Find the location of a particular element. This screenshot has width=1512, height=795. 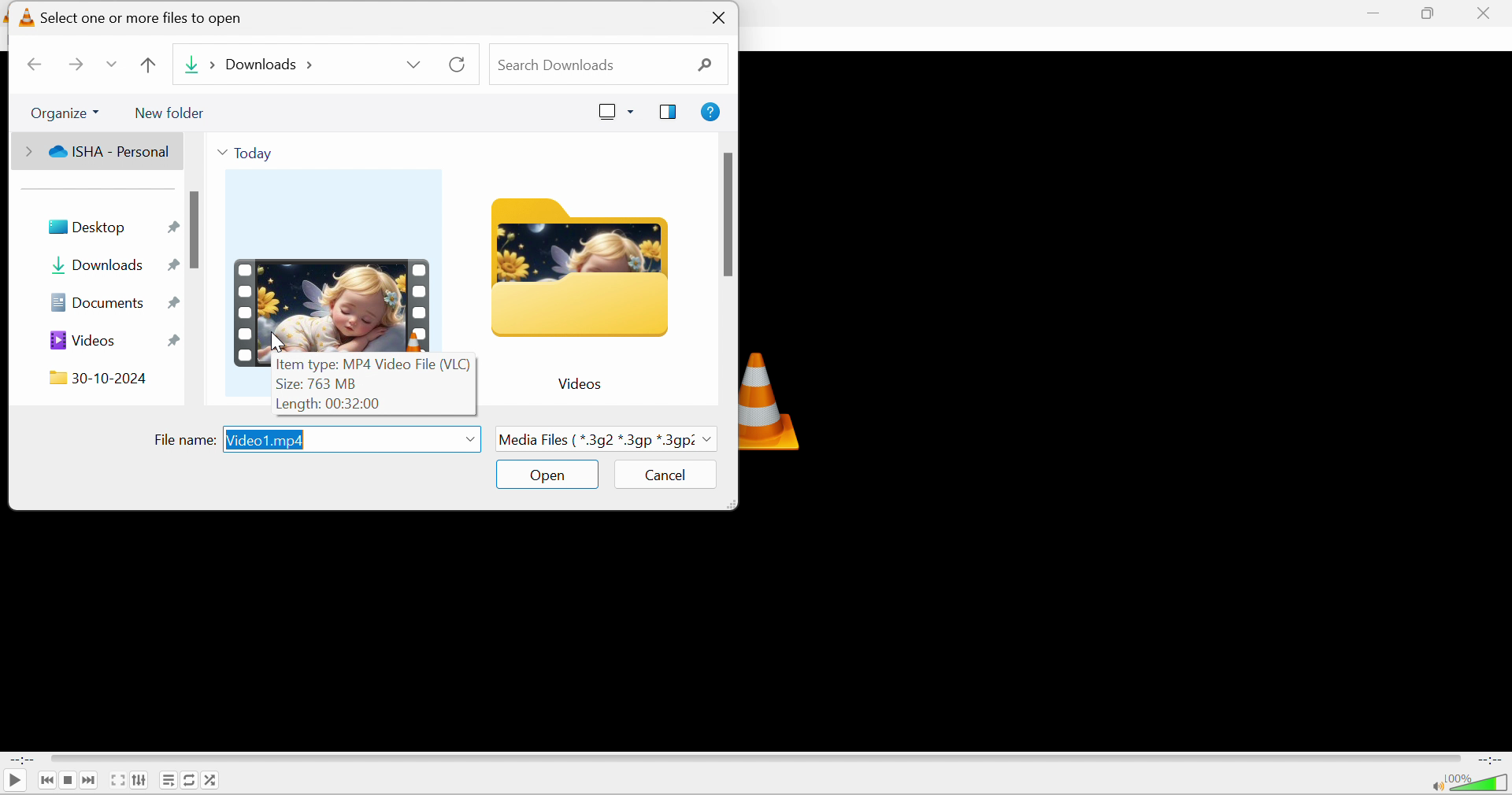

Item type: MP4 Video File (VLC) is located at coordinates (380, 364).